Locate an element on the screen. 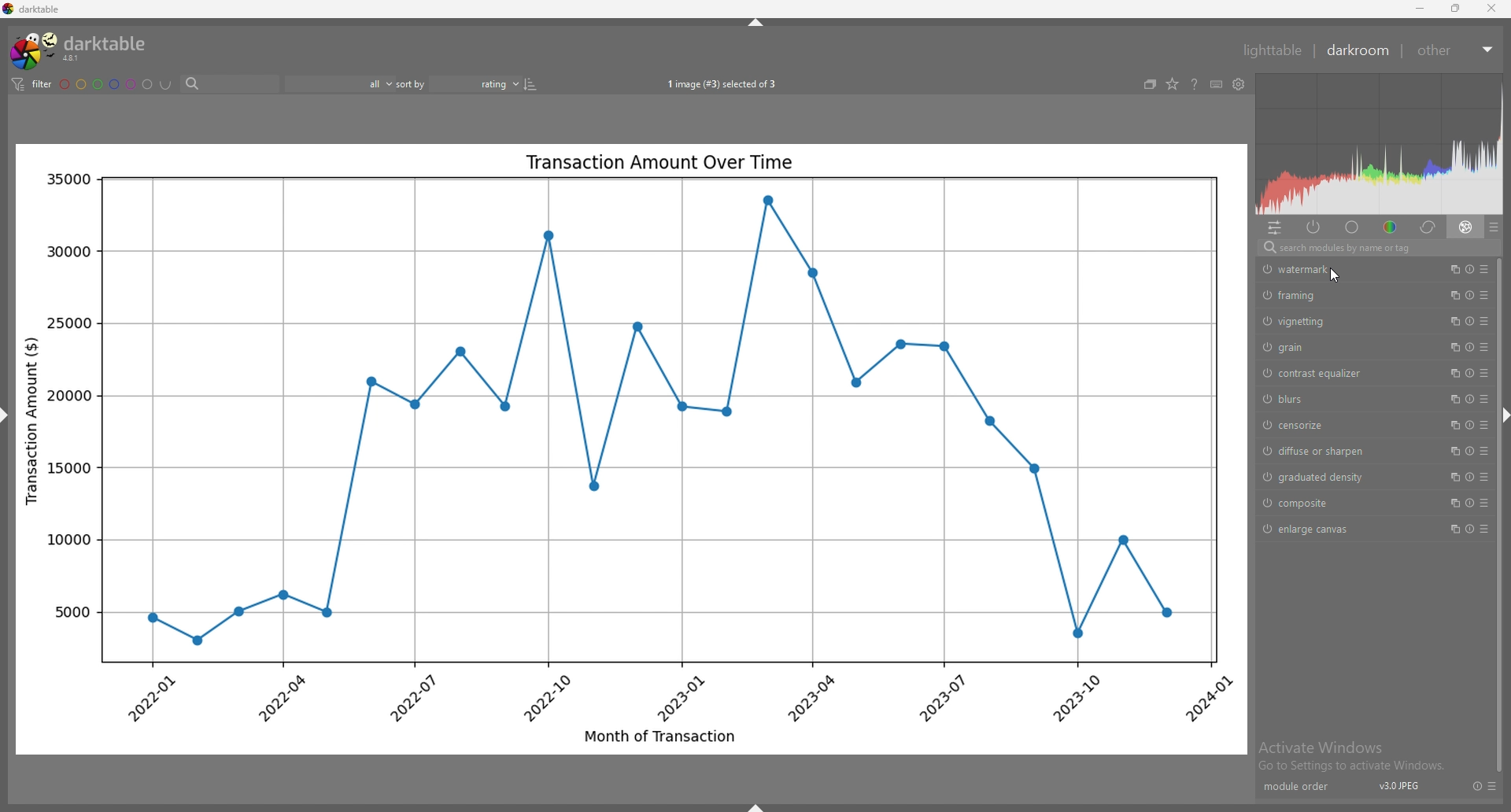 The width and height of the screenshot is (1511, 812). photo is located at coordinates (633, 448).